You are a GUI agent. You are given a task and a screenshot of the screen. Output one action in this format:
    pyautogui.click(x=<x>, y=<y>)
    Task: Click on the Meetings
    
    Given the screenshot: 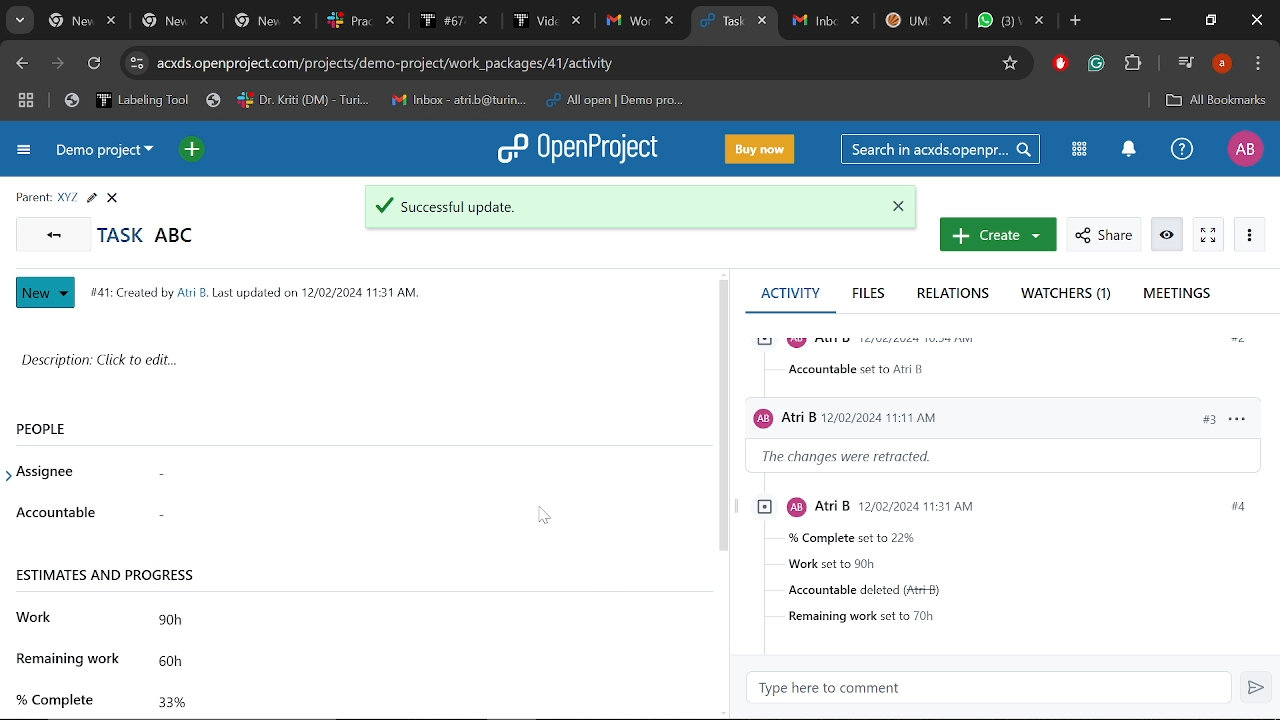 What is the action you would take?
    pyautogui.click(x=1177, y=294)
    